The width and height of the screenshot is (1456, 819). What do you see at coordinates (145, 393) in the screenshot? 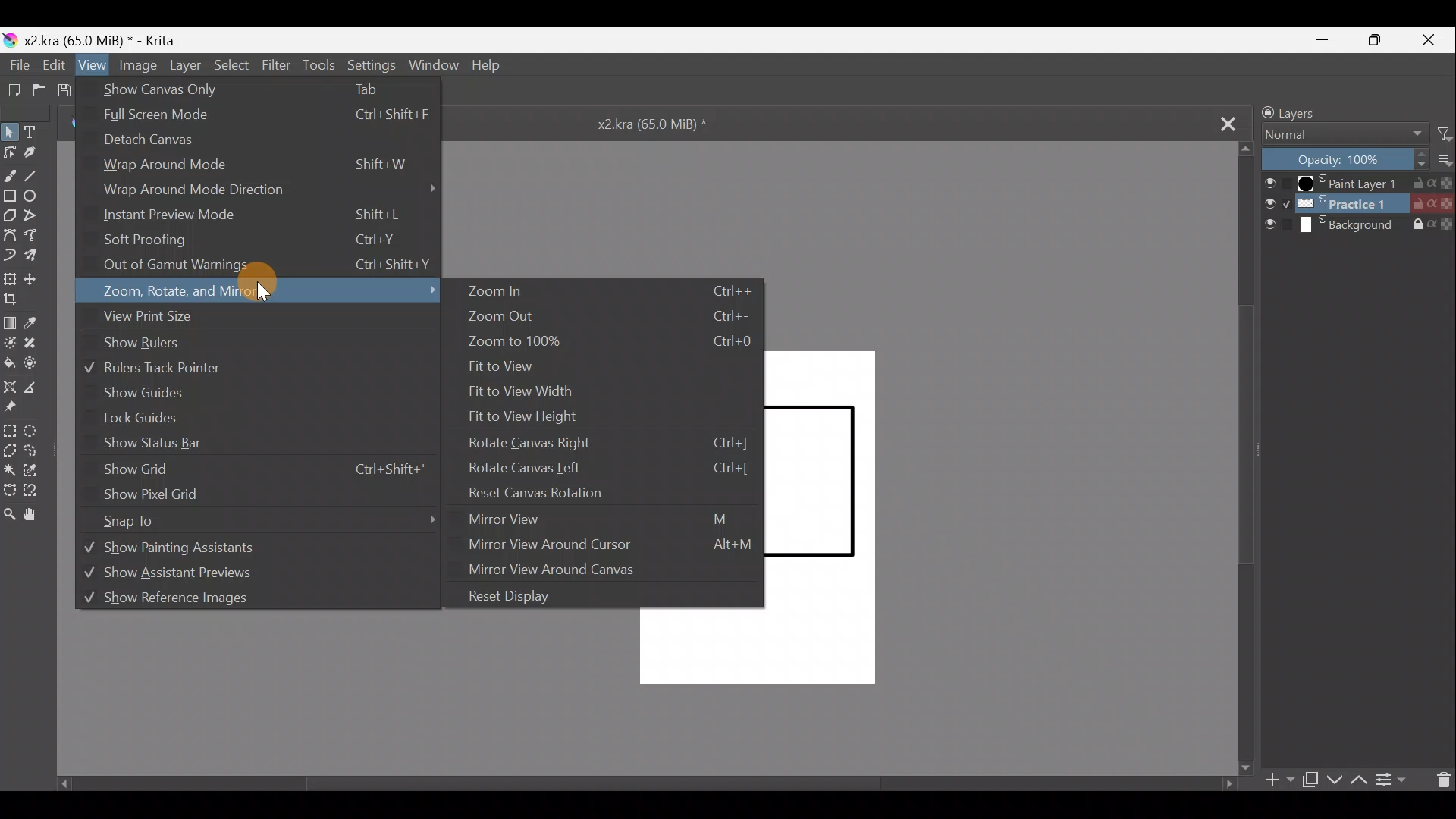
I see `Show guides` at bounding box center [145, 393].